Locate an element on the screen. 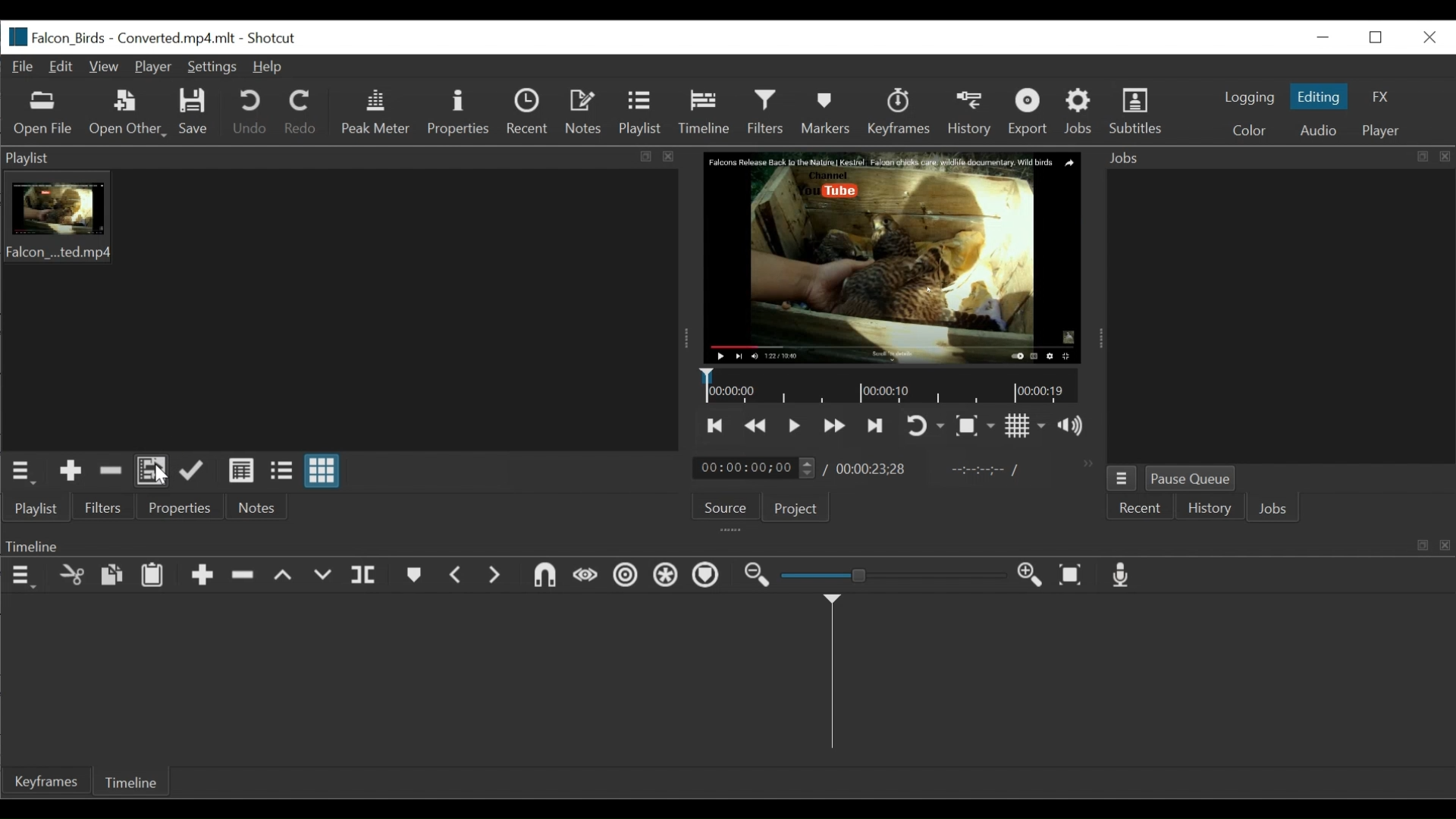 Image resolution: width=1456 pixels, height=819 pixels. View as details is located at coordinates (243, 472).